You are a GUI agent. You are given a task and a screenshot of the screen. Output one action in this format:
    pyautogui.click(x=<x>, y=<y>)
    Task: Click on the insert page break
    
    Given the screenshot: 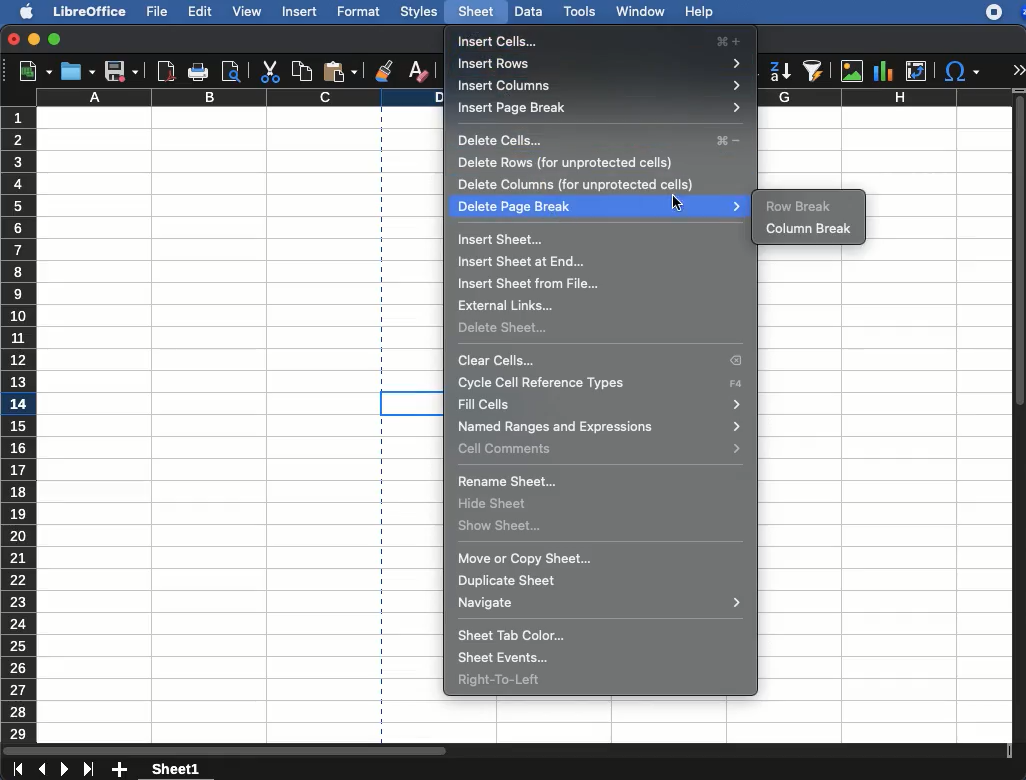 What is the action you would take?
    pyautogui.click(x=600, y=109)
    